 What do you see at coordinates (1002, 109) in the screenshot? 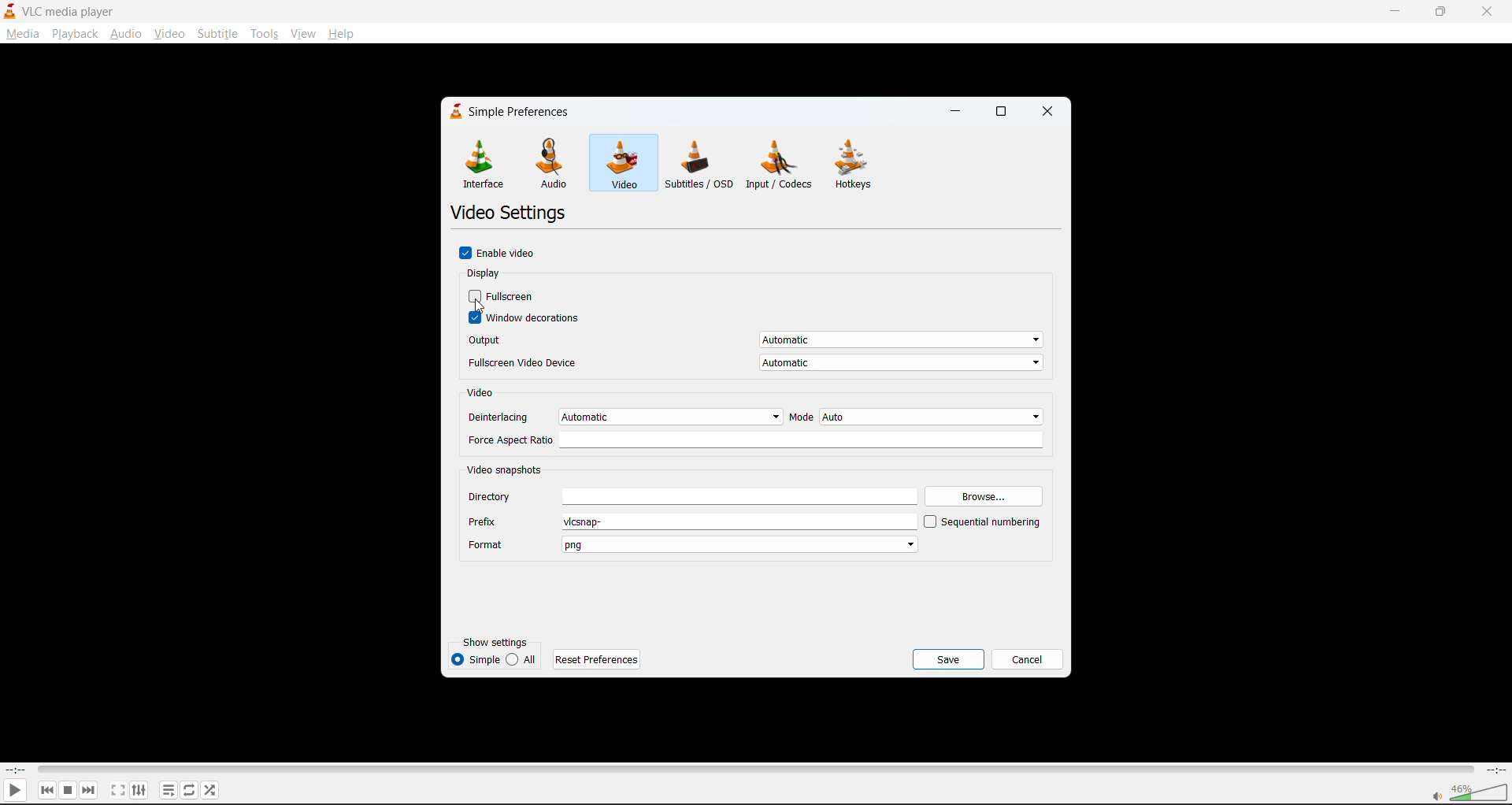
I see `maximize` at bounding box center [1002, 109].